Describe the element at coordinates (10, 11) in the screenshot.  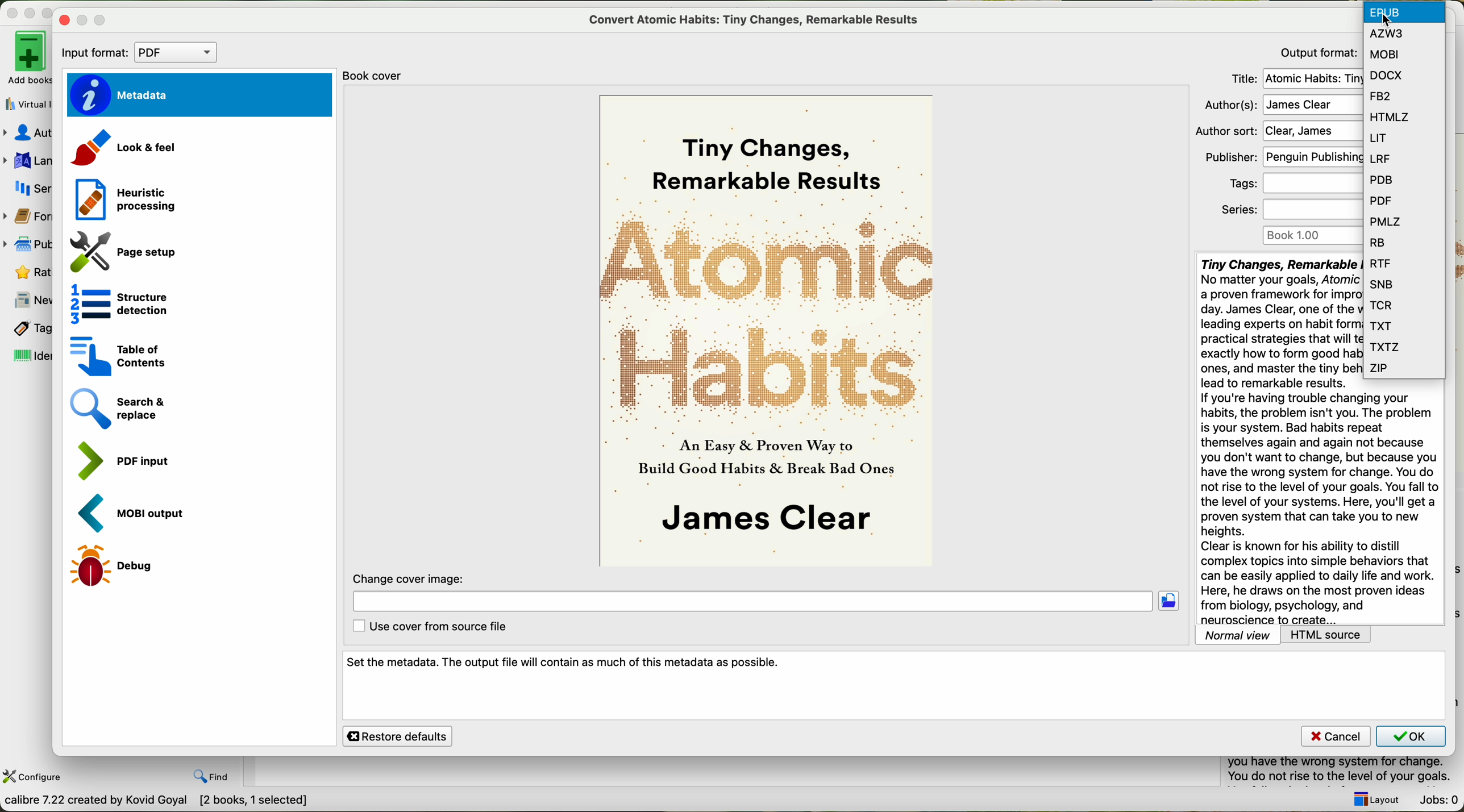
I see `close program` at that location.